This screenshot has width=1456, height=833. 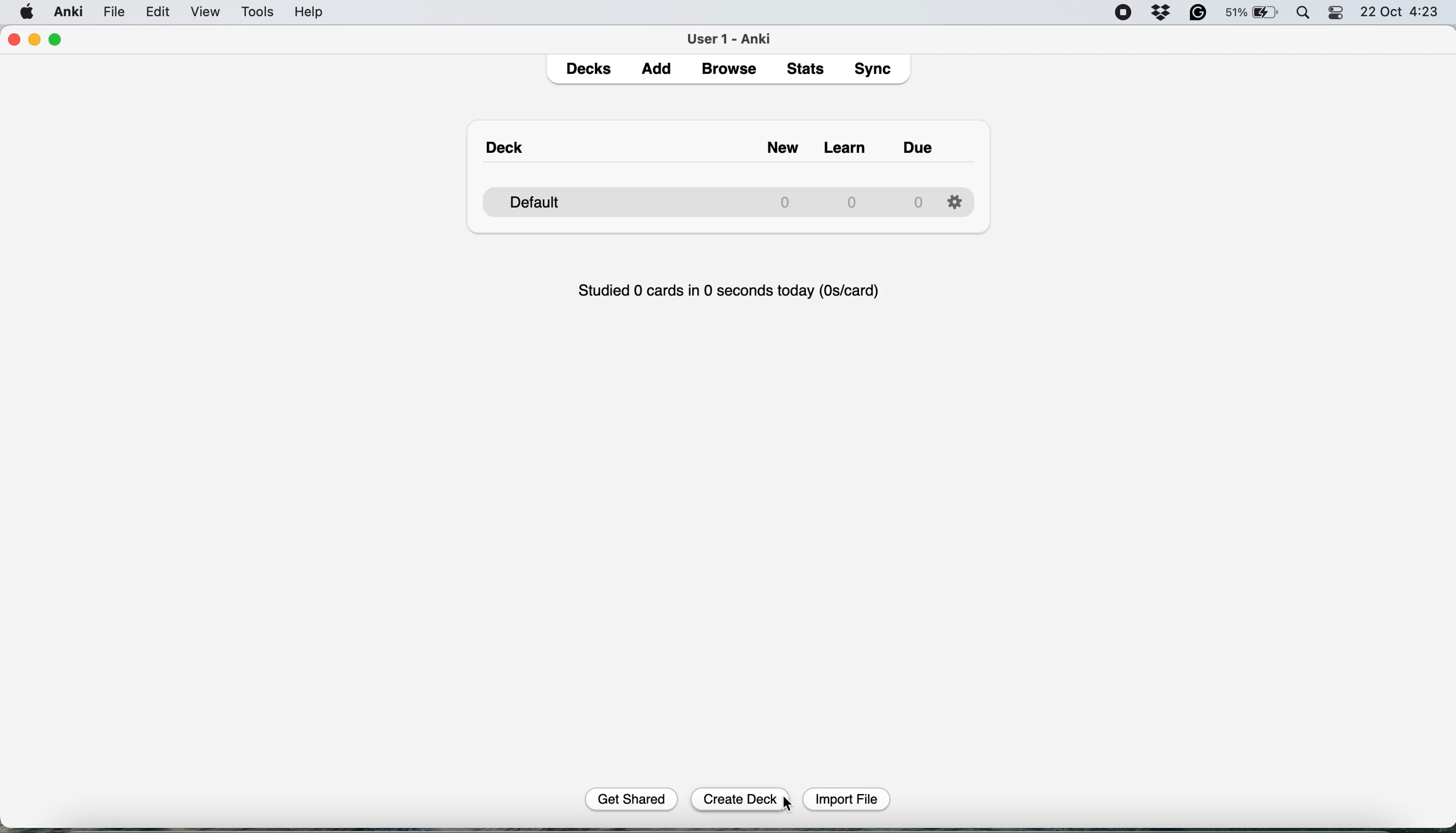 I want to click on stats, so click(x=807, y=70).